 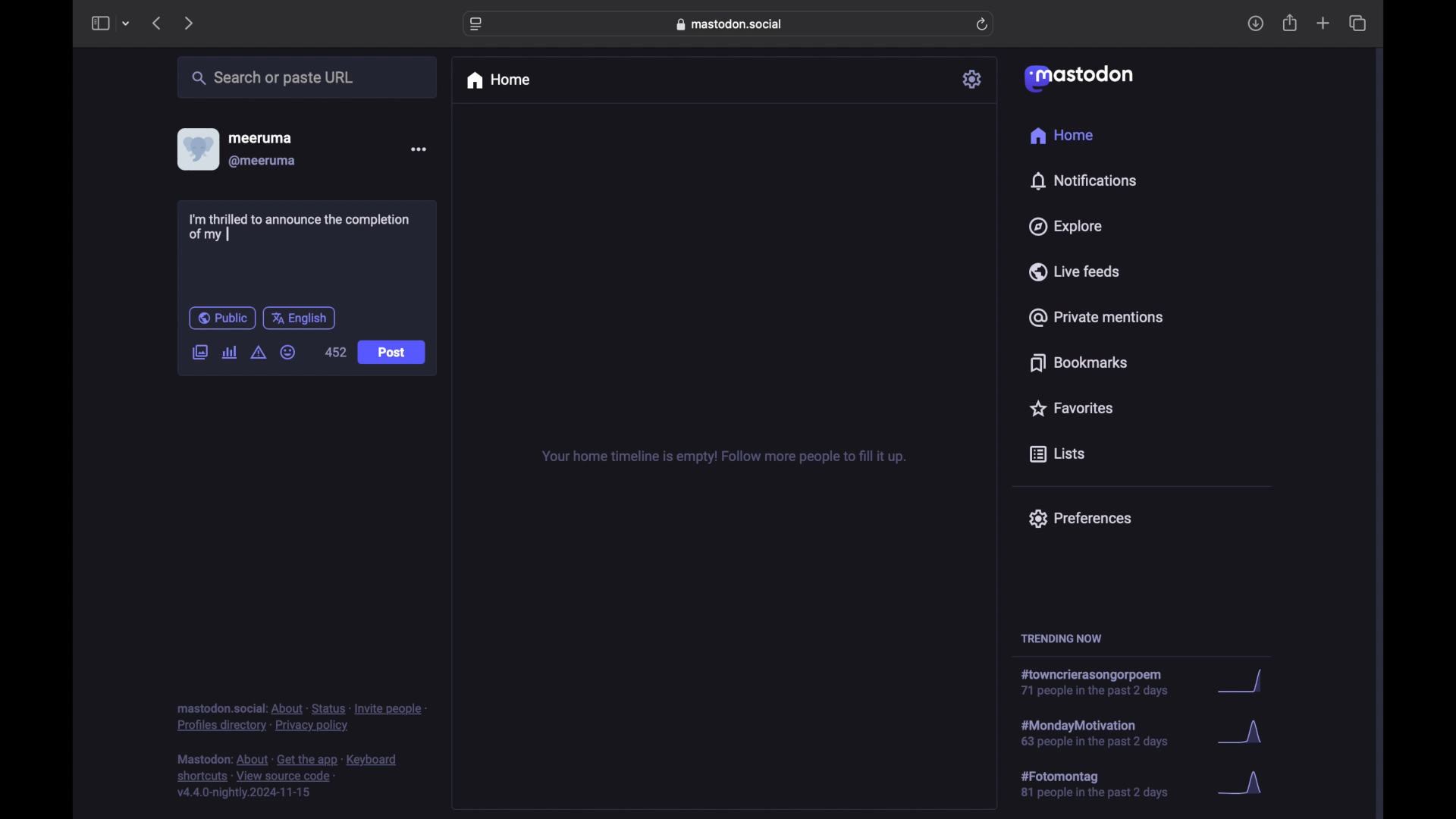 I want to click on side bar, so click(x=99, y=23).